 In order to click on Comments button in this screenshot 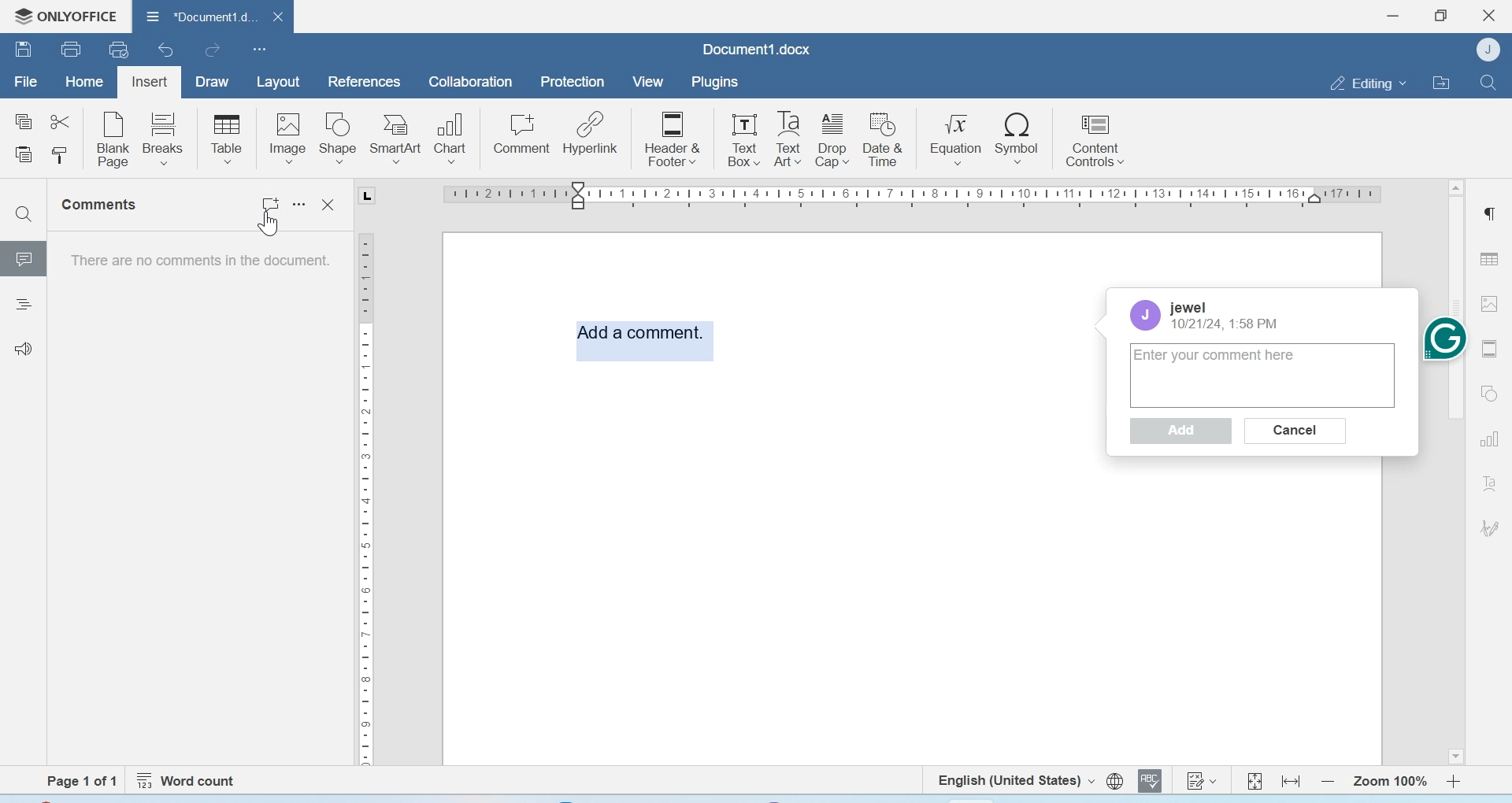, I will do `click(269, 199)`.